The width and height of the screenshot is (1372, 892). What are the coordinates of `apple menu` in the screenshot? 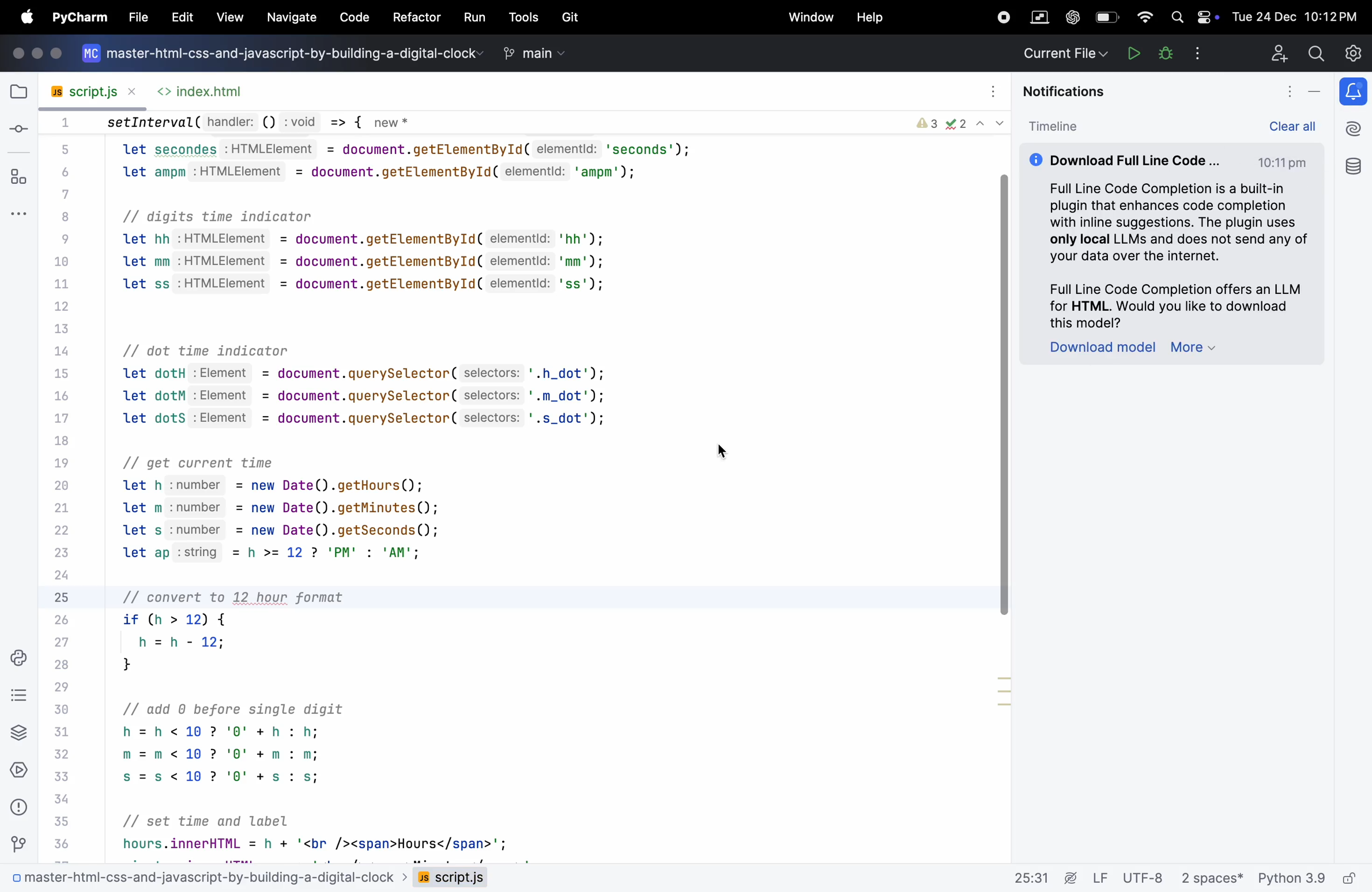 It's located at (24, 17).